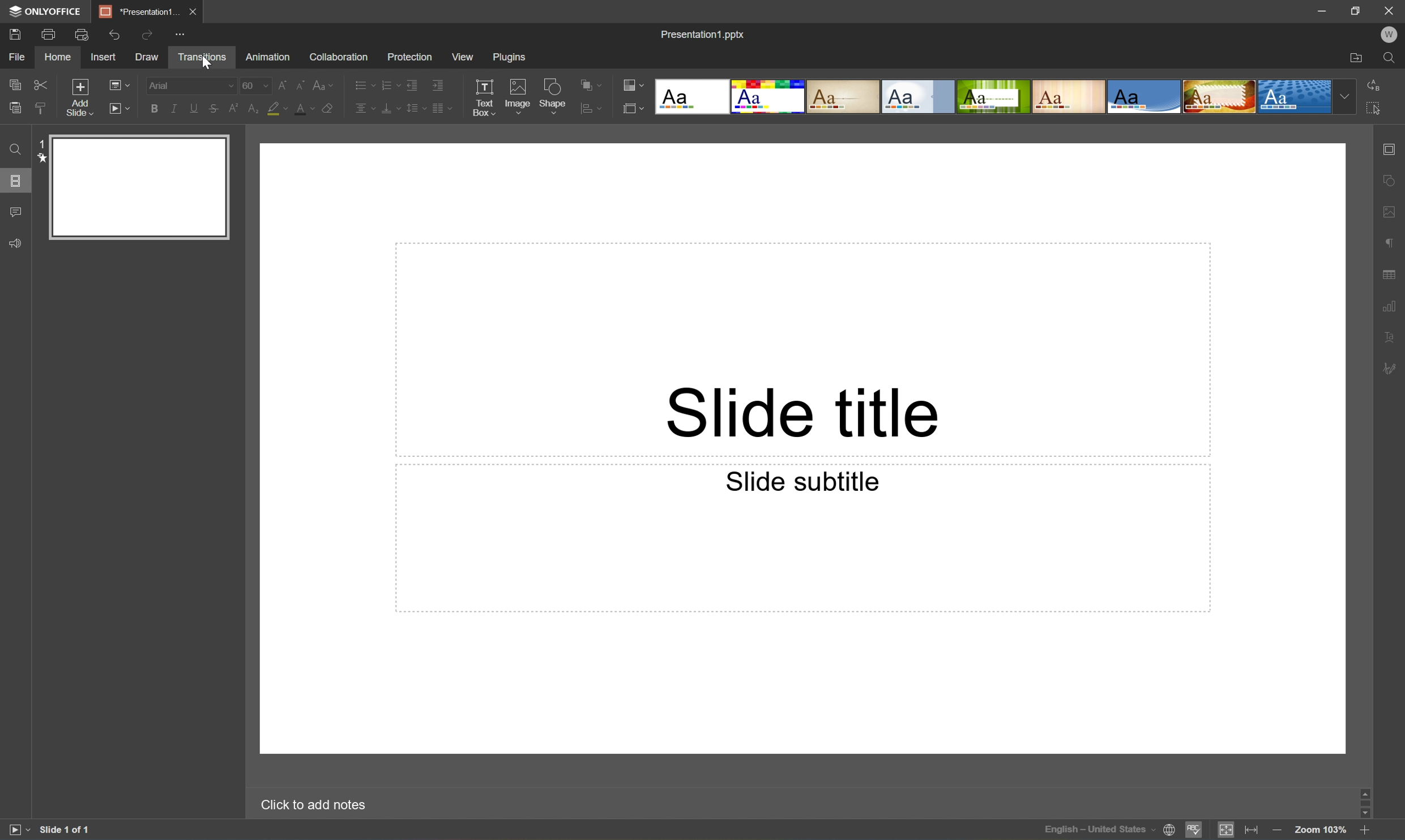 Image resolution: width=1405 pixels, height=840 pixels. I want to click on Text Art settings, so click(1394, 338).